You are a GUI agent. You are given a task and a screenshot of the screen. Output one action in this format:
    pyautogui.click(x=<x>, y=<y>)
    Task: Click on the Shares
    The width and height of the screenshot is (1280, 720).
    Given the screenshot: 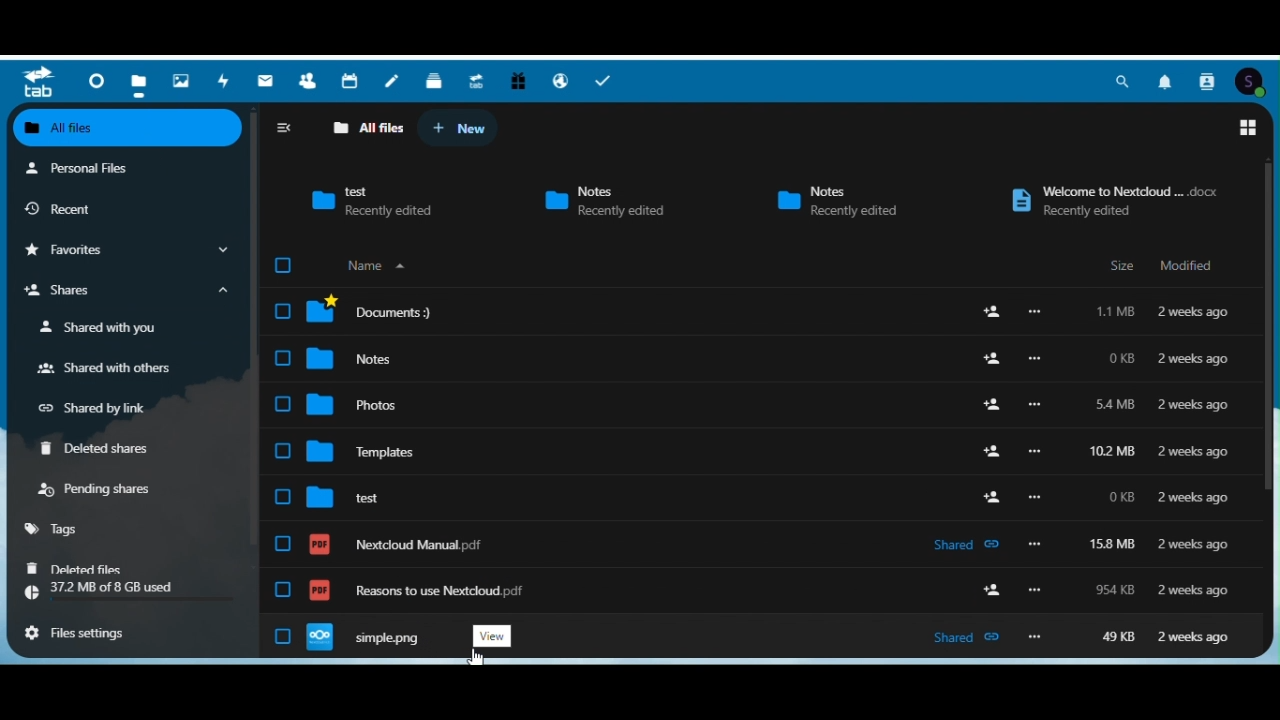 What is the action you would take?
    pyautogui.click(x=131, y=290)
    